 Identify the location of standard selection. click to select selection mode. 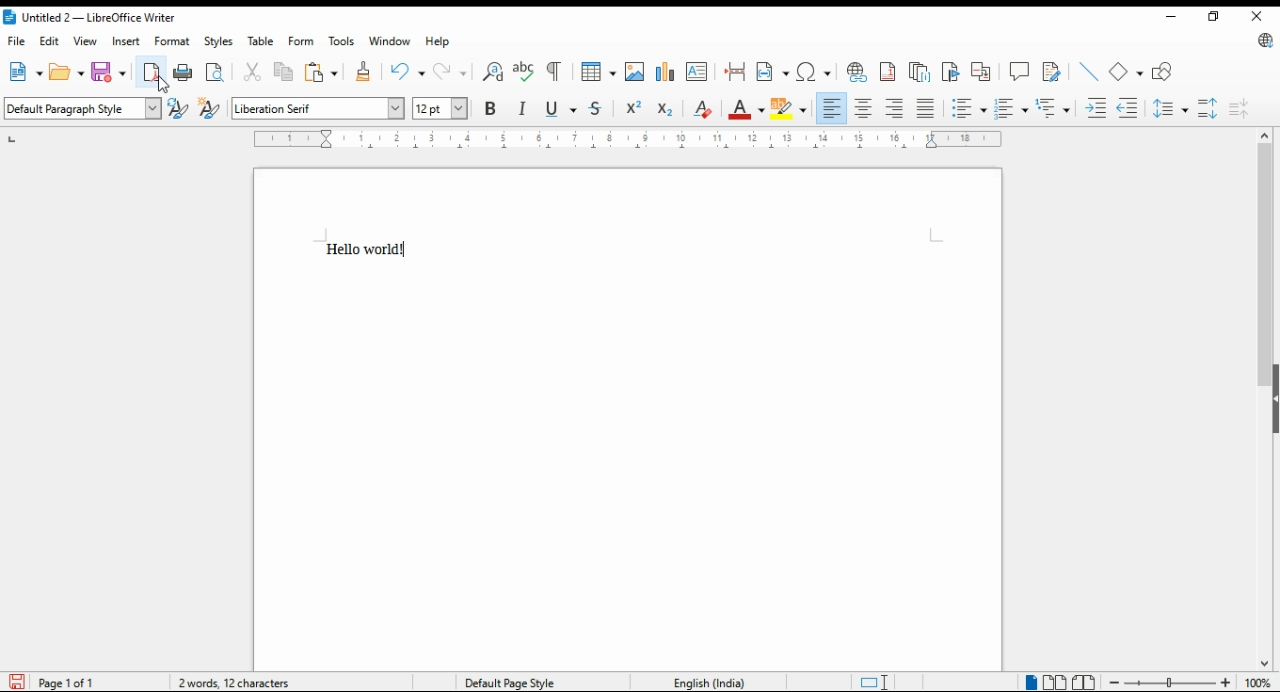
(868, 683).